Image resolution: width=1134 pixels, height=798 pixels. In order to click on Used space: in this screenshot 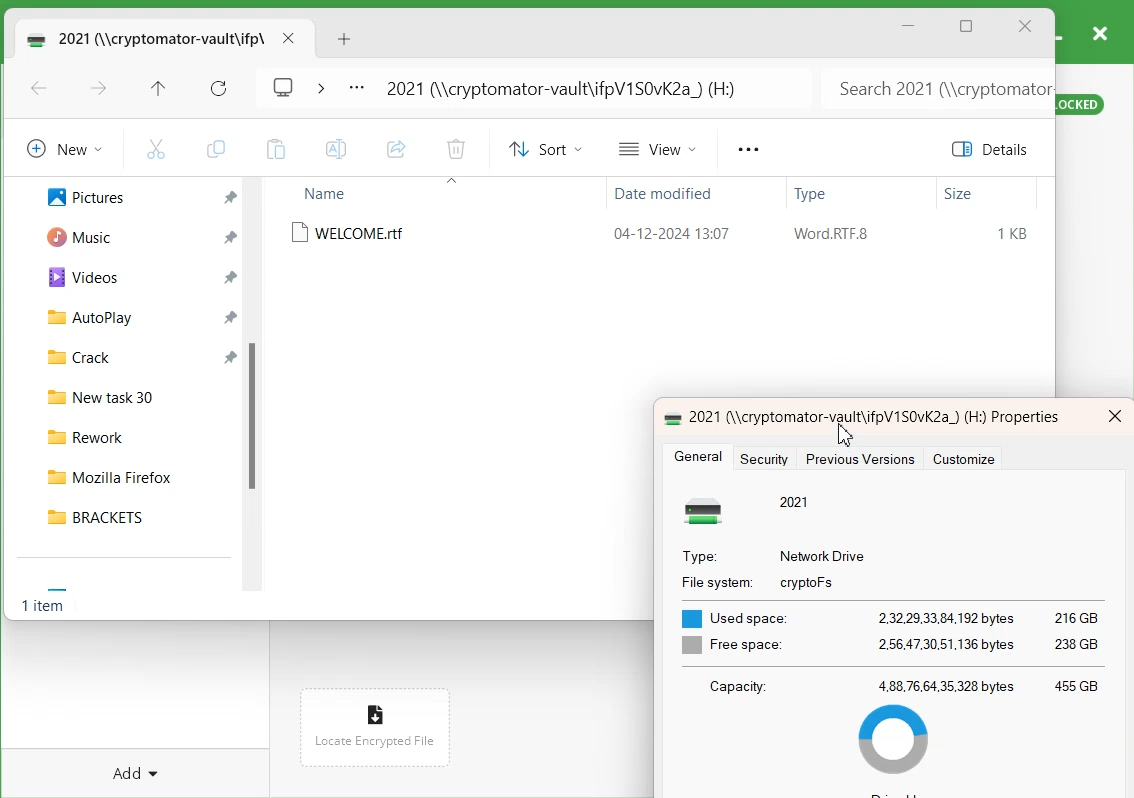, I will do `click(737, 617)`.